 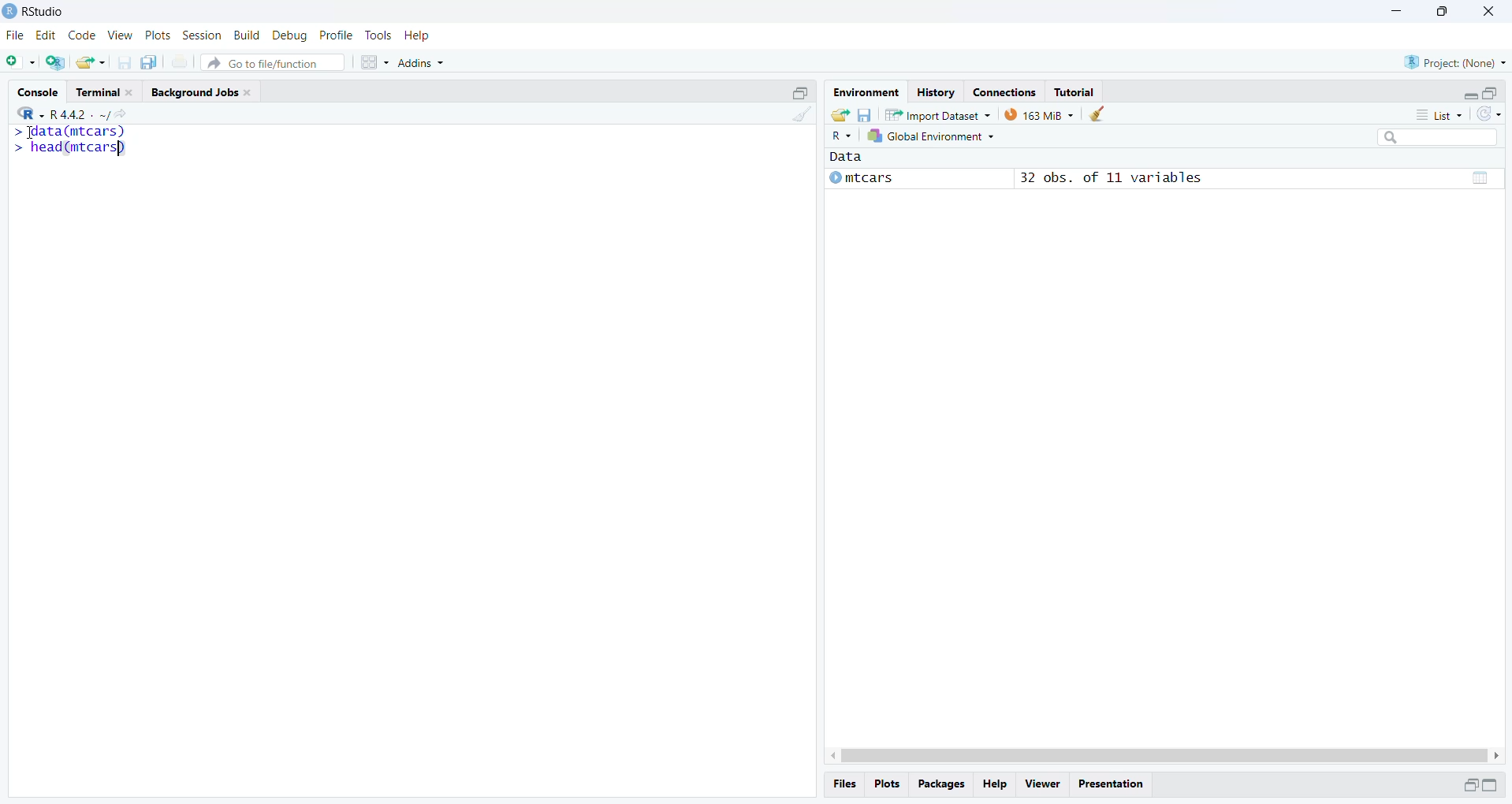 What do you see at coordinates (422, 62) in the screenshot?
I see `Addins` at bounding box center [422, 62].